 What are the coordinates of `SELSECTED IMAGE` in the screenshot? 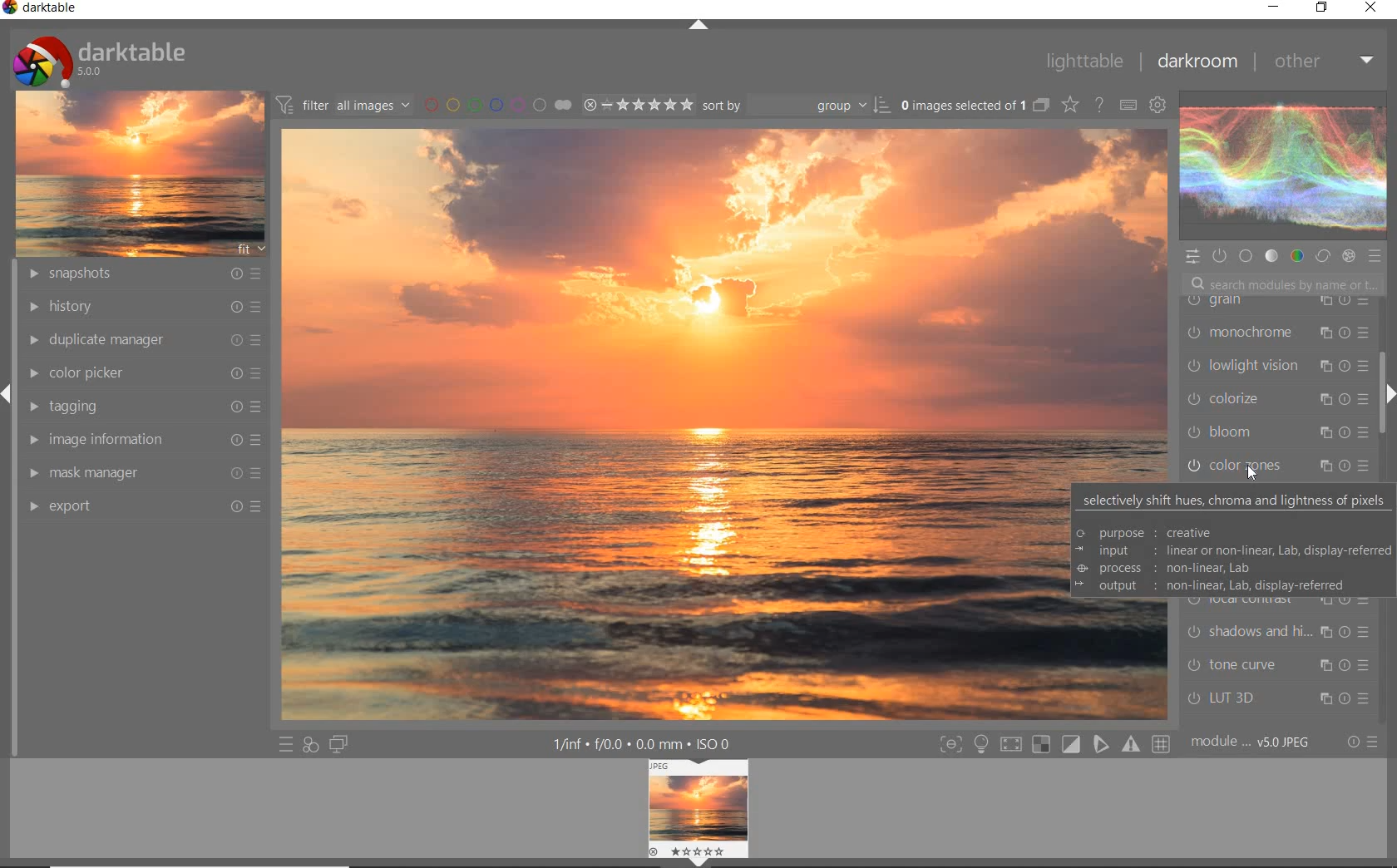 It's located at (960, 105).